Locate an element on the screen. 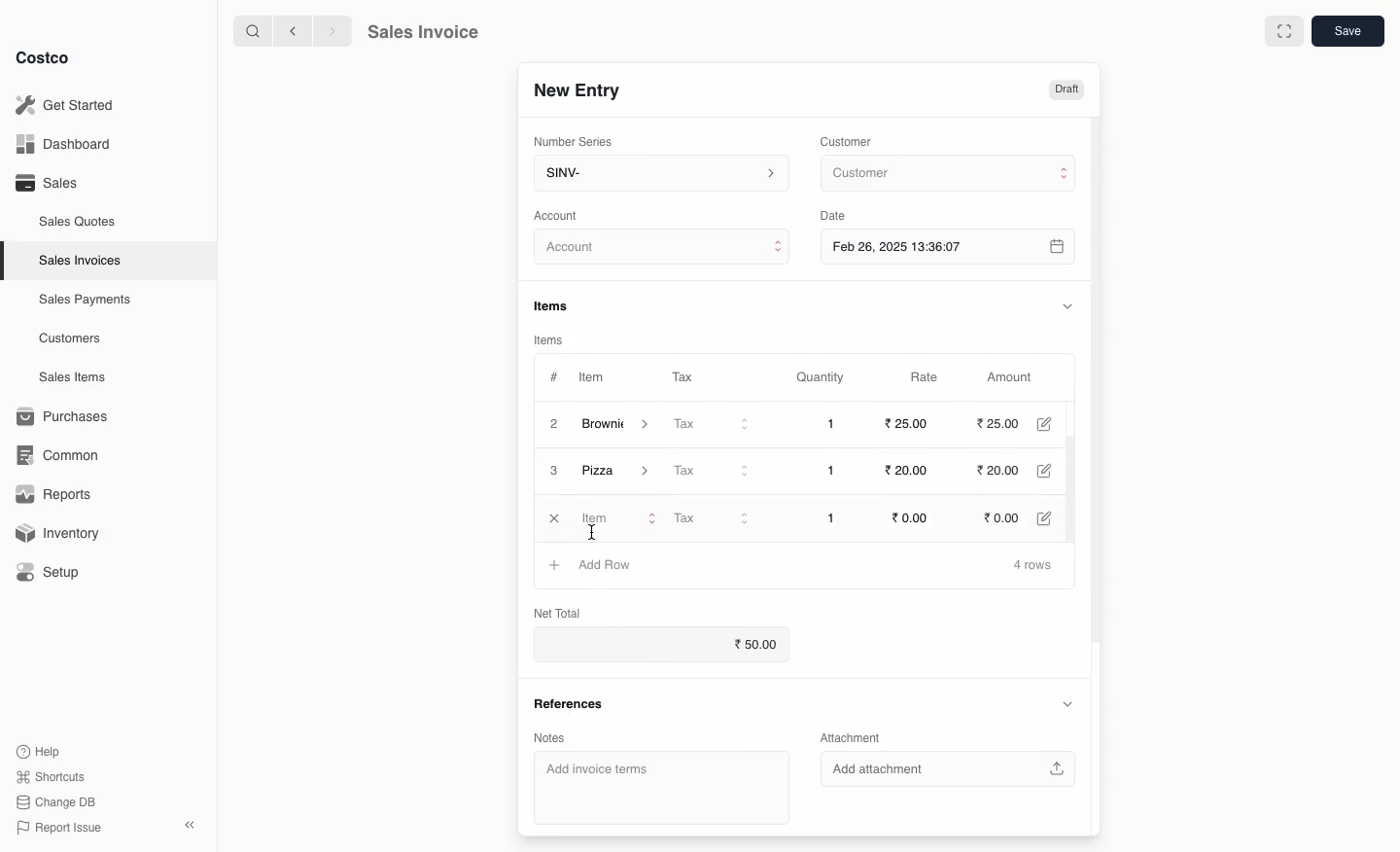  Sales is located at coordinates (46, 183).